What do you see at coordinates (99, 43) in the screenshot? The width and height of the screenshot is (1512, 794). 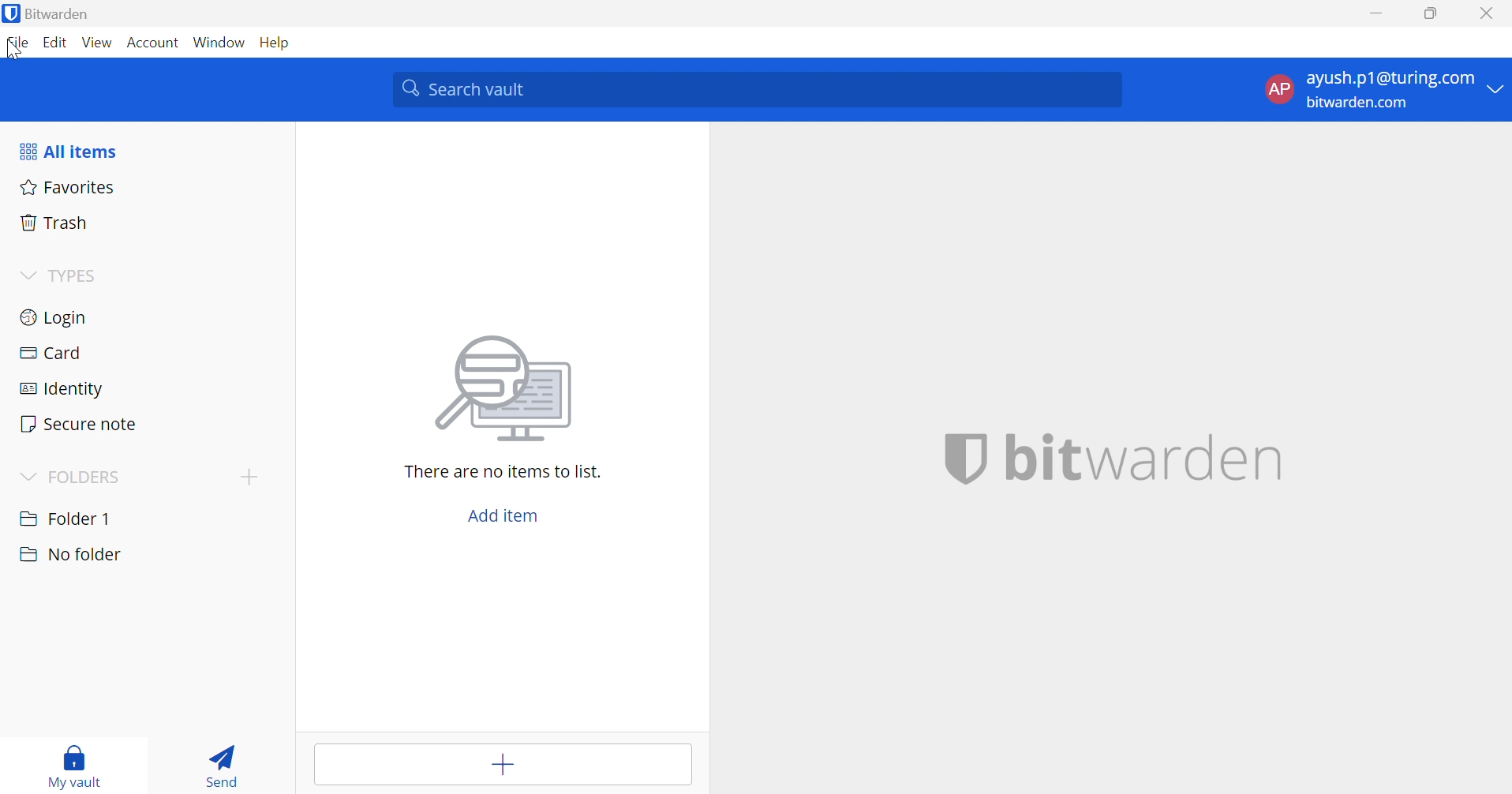 I see `View` at bounding box center [99, 43].